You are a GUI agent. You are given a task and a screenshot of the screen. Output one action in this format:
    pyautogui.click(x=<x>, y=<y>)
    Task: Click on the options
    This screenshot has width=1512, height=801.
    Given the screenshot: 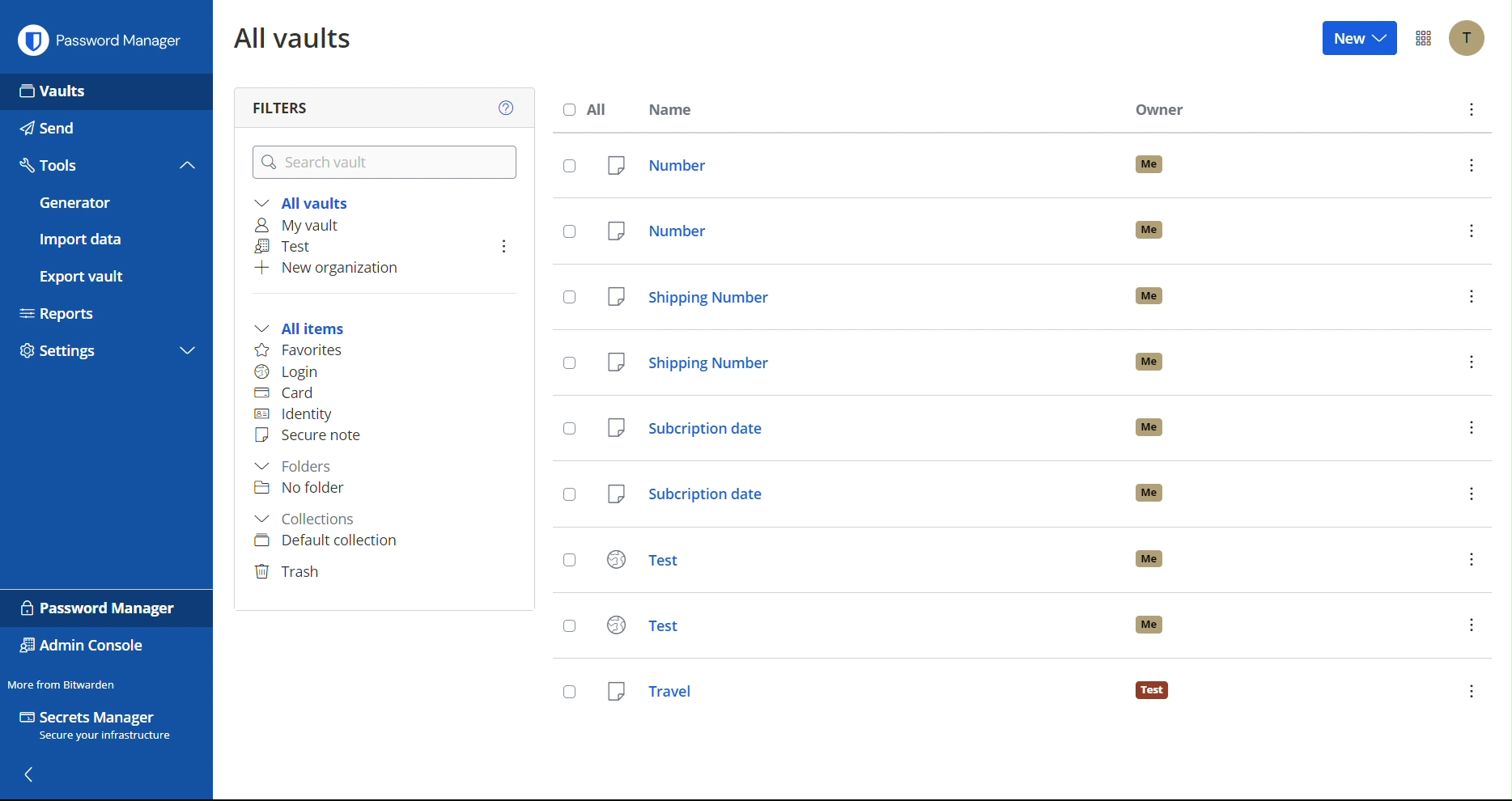 What is the action you would take?
    pyautogui.click(x=1471, y=428)
    